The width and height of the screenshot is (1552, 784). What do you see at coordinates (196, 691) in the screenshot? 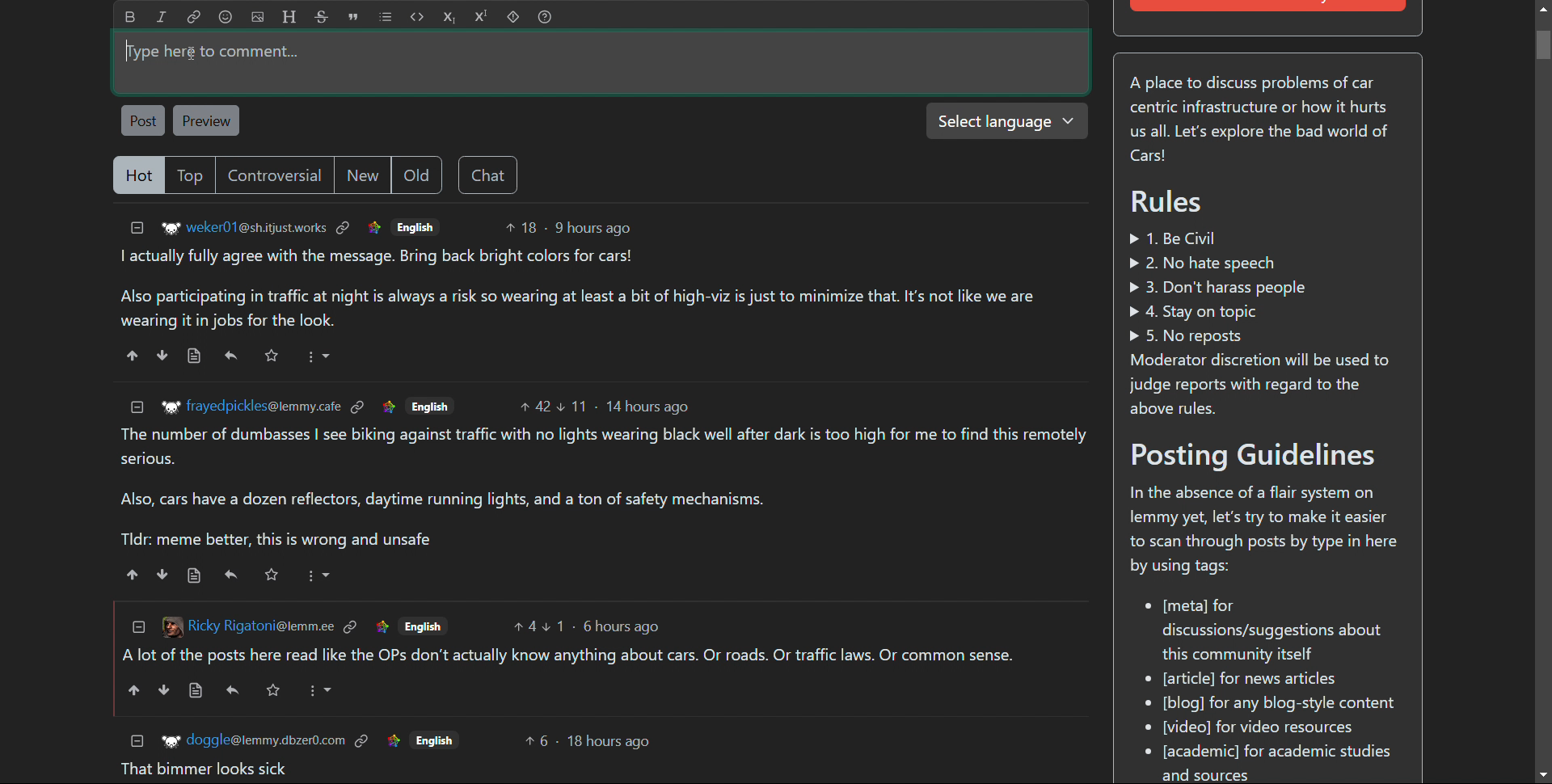
I see `view source` at bounding box center [196, 691].